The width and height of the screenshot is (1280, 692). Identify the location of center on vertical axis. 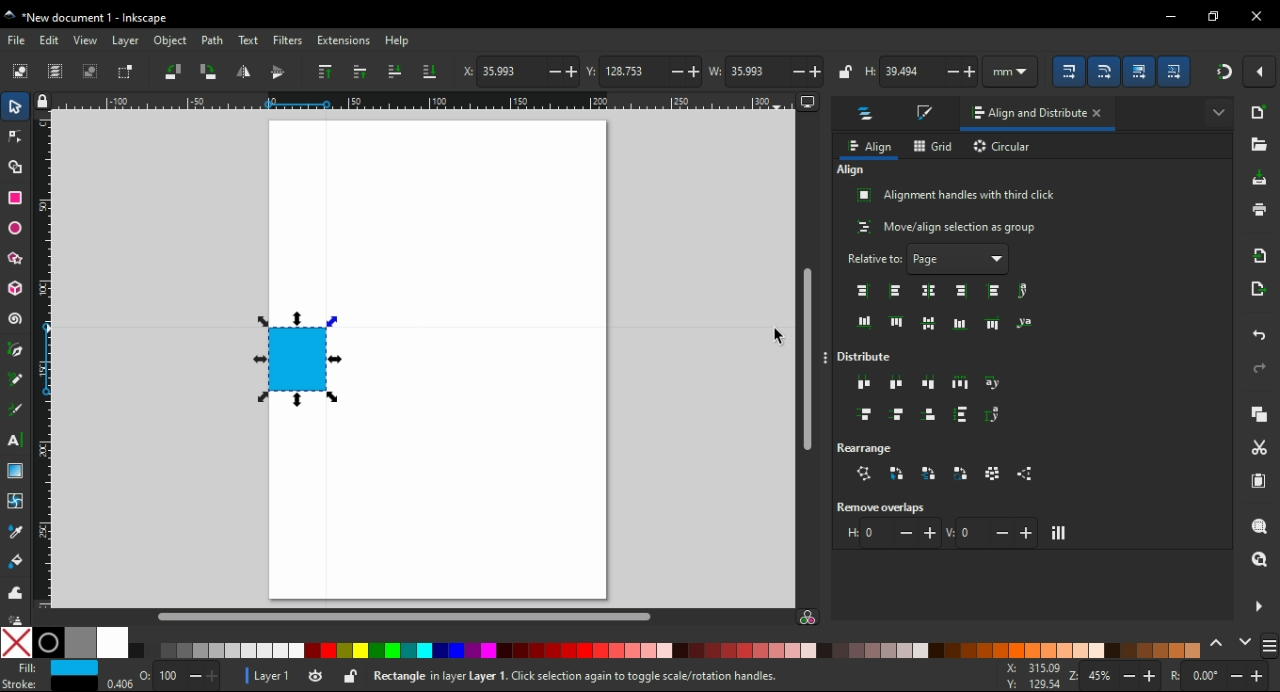
(927, 291).